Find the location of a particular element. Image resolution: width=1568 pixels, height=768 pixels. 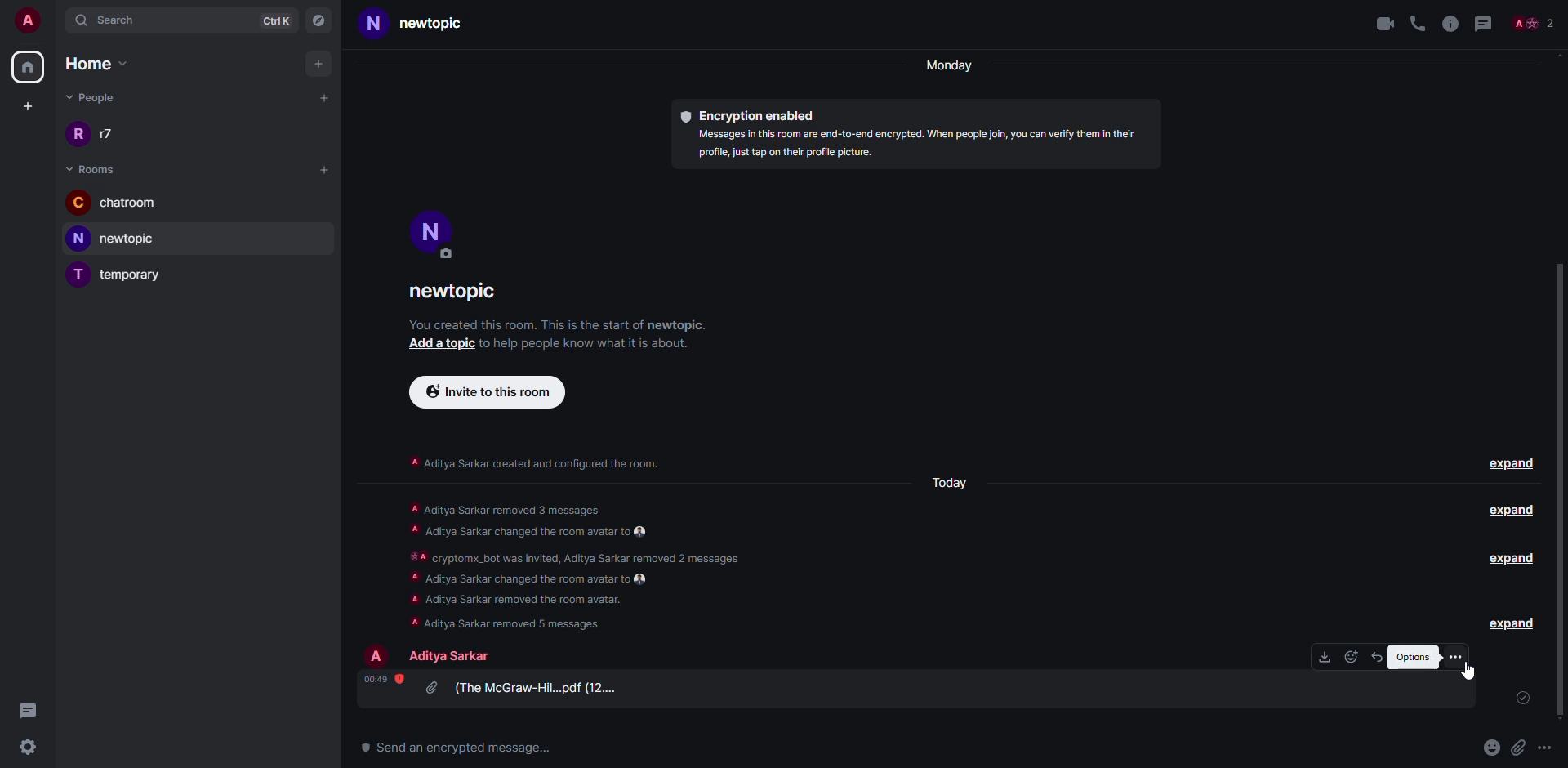

new topic is located at coordinates (121, 238).